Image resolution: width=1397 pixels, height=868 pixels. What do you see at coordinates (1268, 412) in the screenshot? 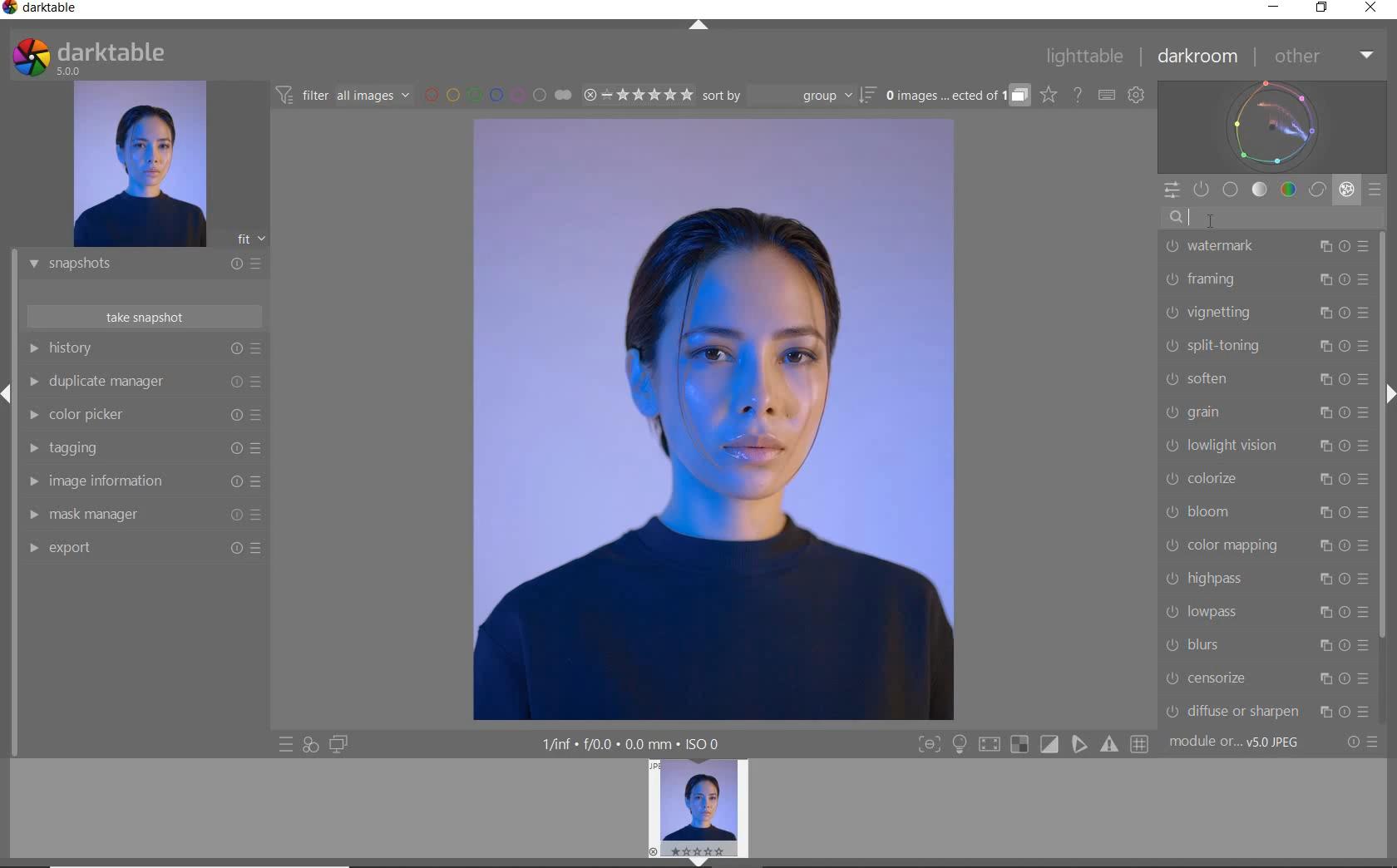
I see `GRAIN` at bounding box center [1268, 412].